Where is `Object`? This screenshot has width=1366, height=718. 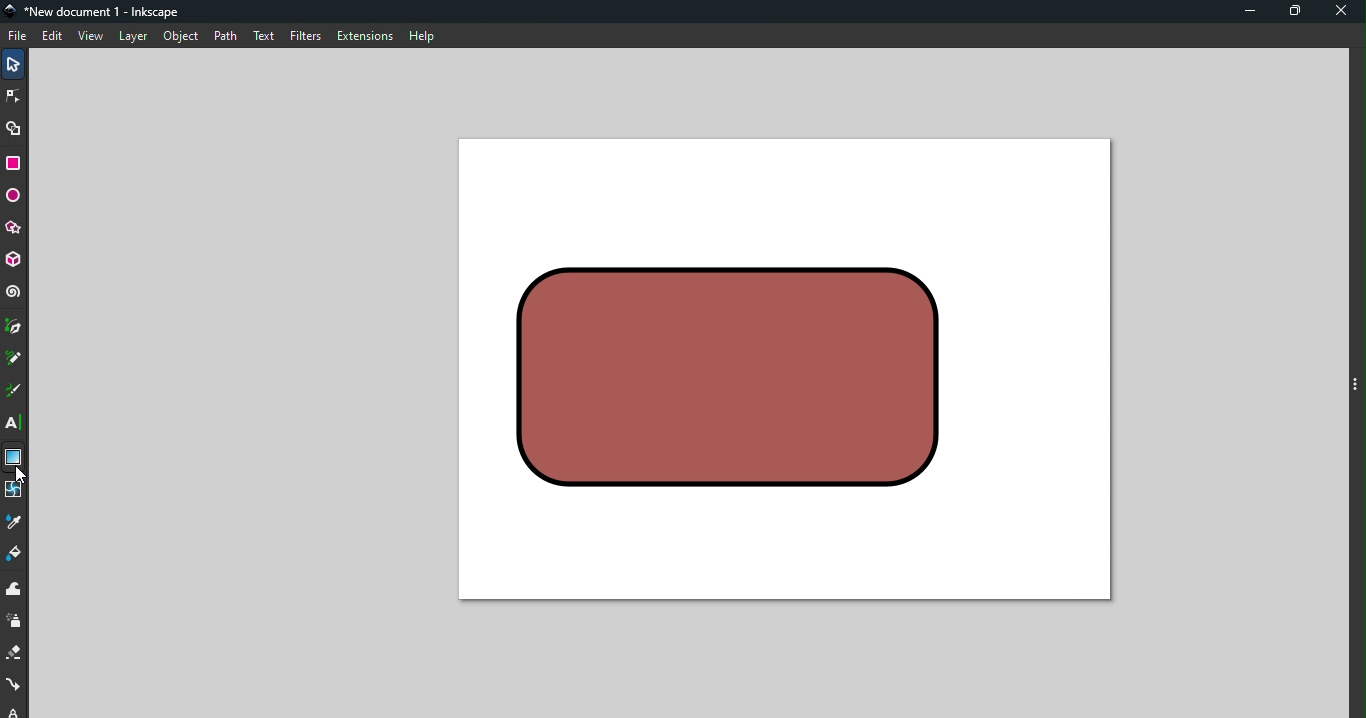 Object is located at coordinates (180, 36).